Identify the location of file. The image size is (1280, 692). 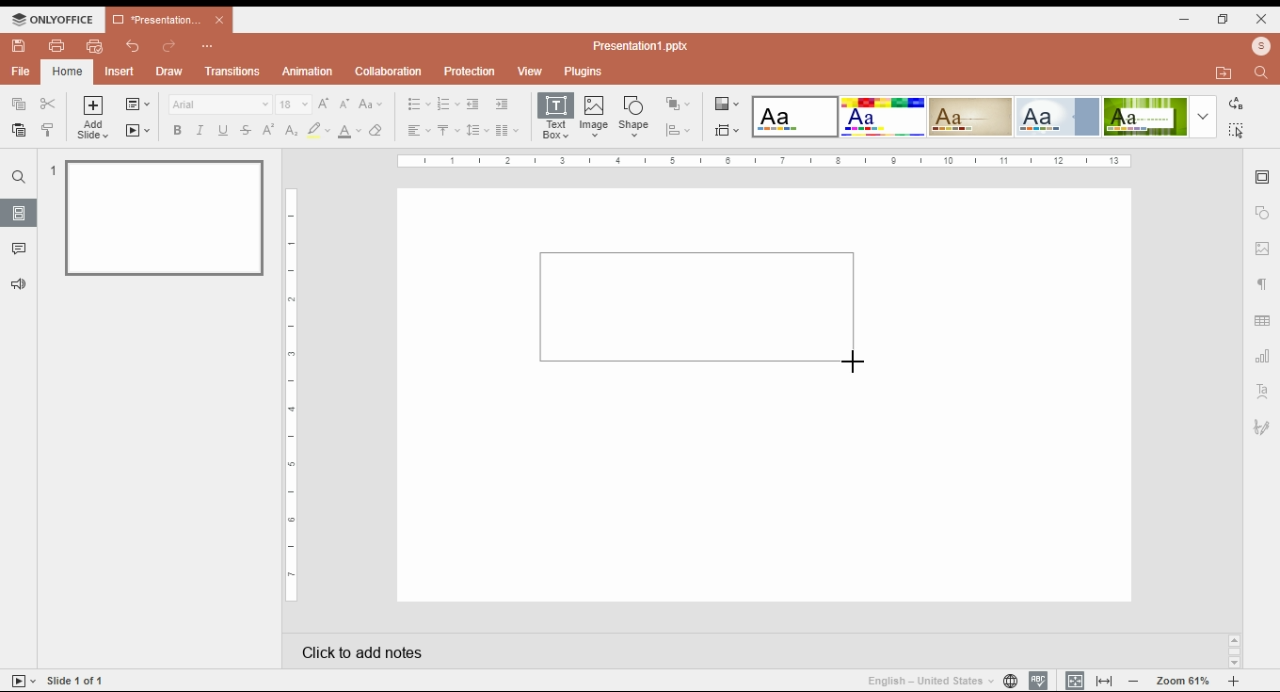
(20, 71).